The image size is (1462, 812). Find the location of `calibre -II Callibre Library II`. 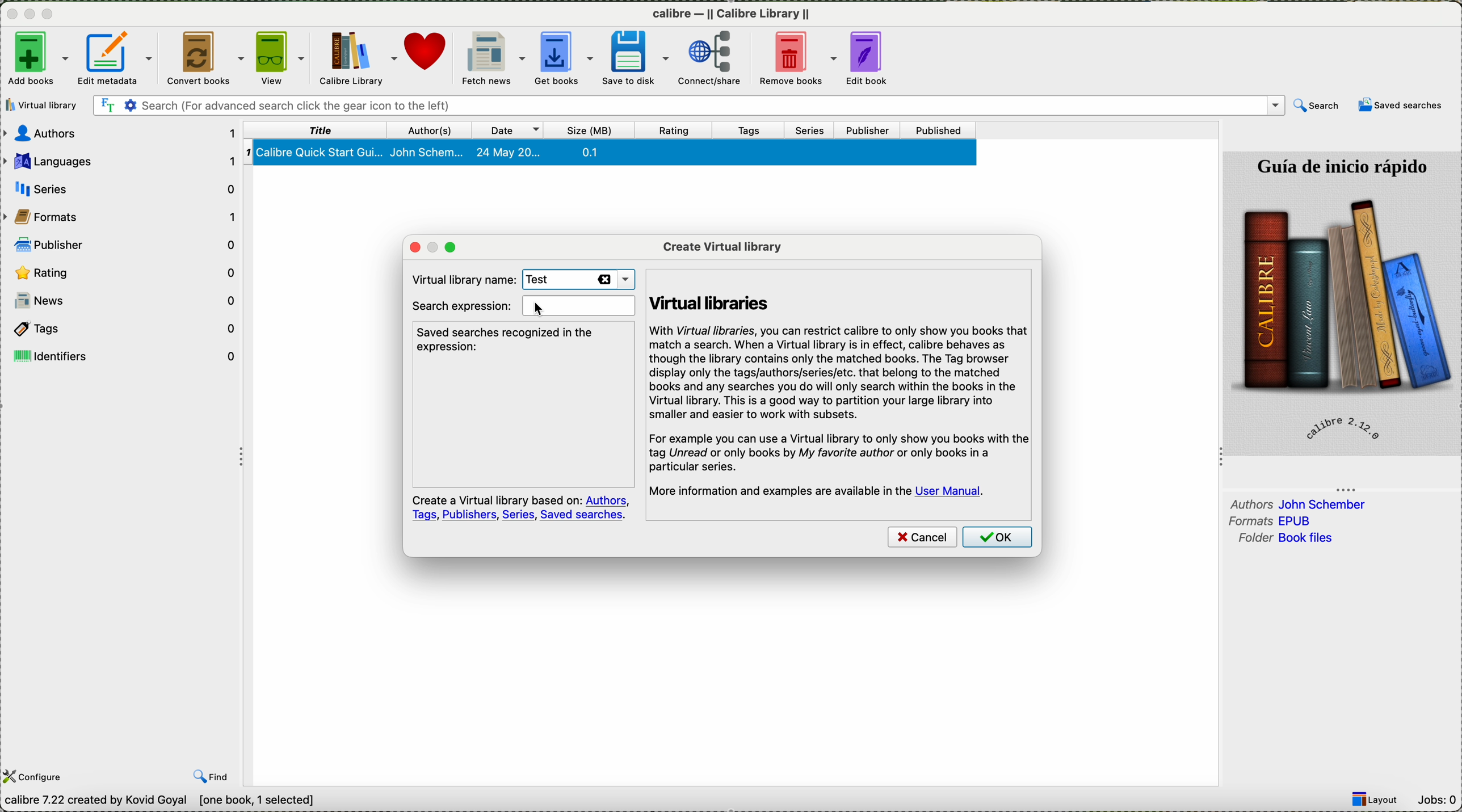

calibre -II Callibre Library II is located at coordinates (732, 16).